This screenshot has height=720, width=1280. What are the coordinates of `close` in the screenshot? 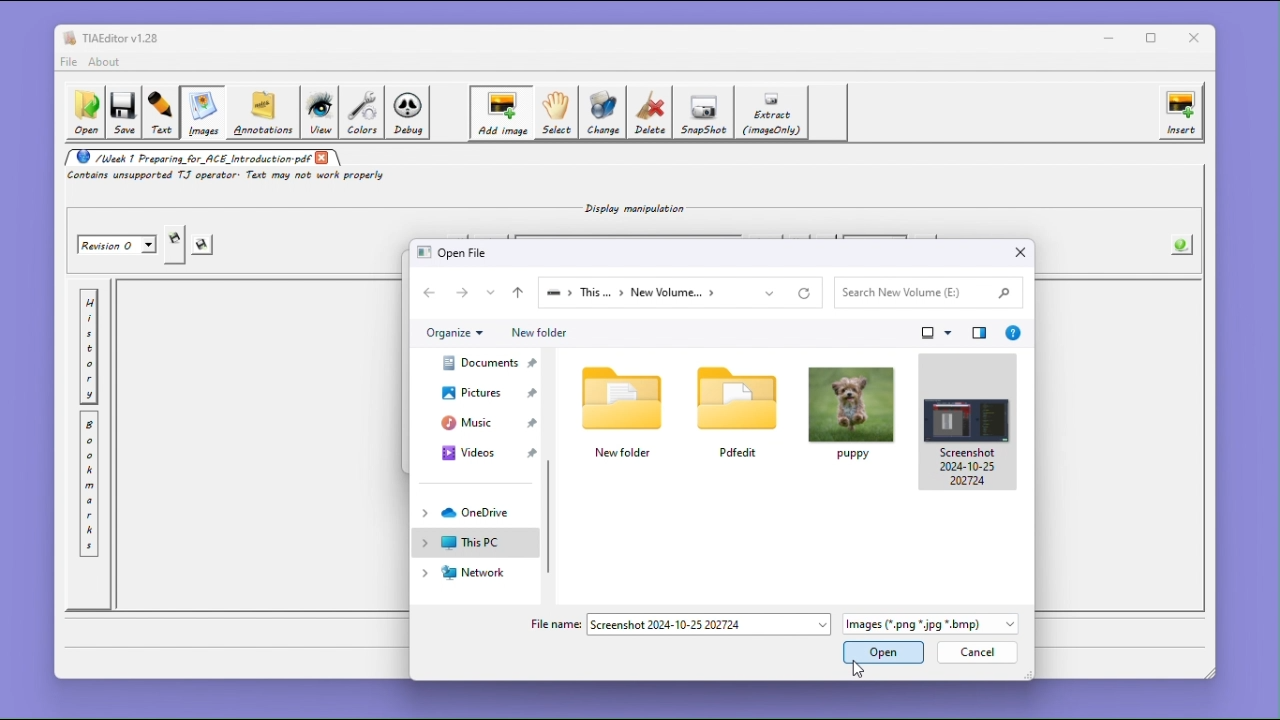 It's located at (1198, 38).